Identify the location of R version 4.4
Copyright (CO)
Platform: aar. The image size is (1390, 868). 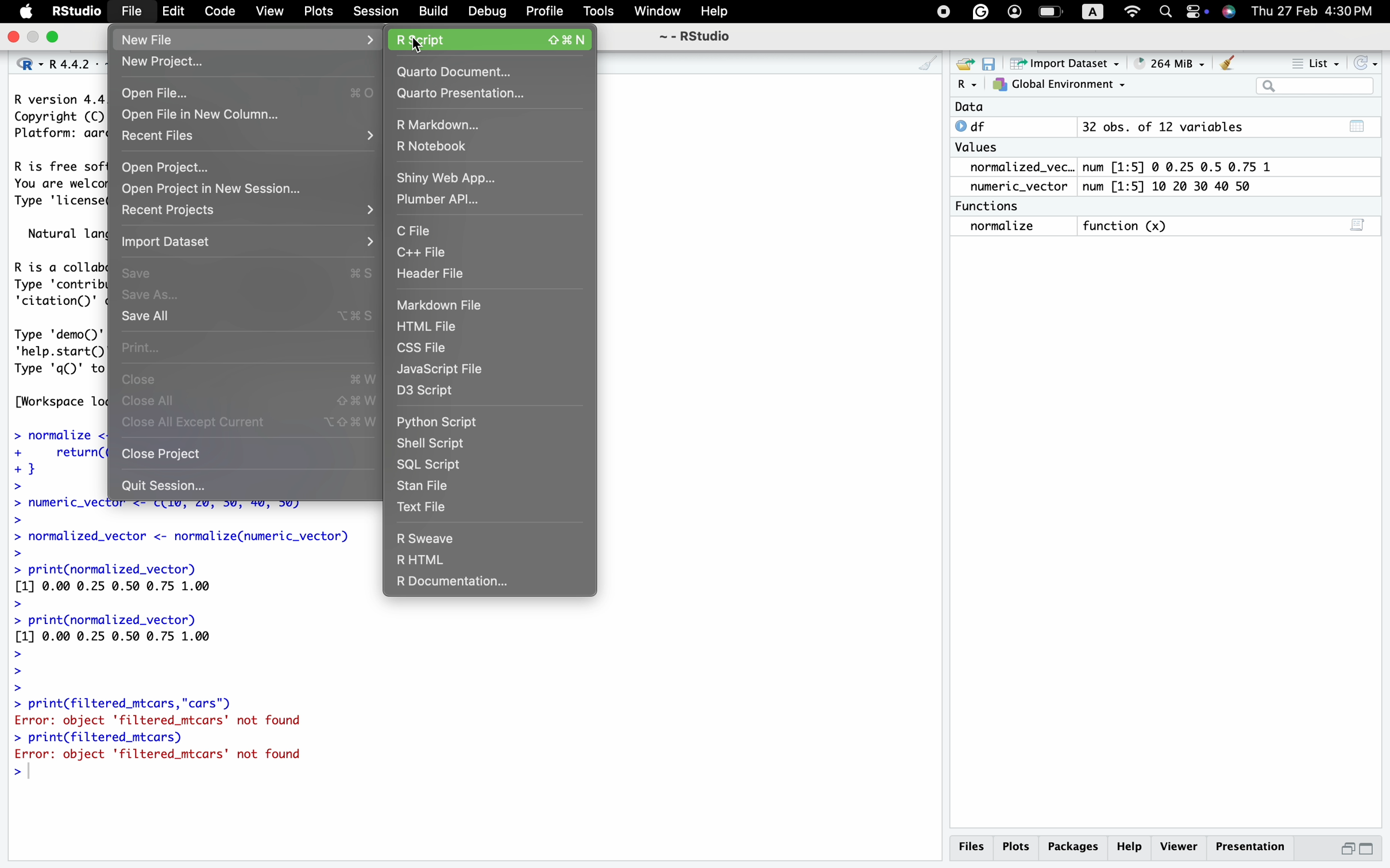
(59, 118).